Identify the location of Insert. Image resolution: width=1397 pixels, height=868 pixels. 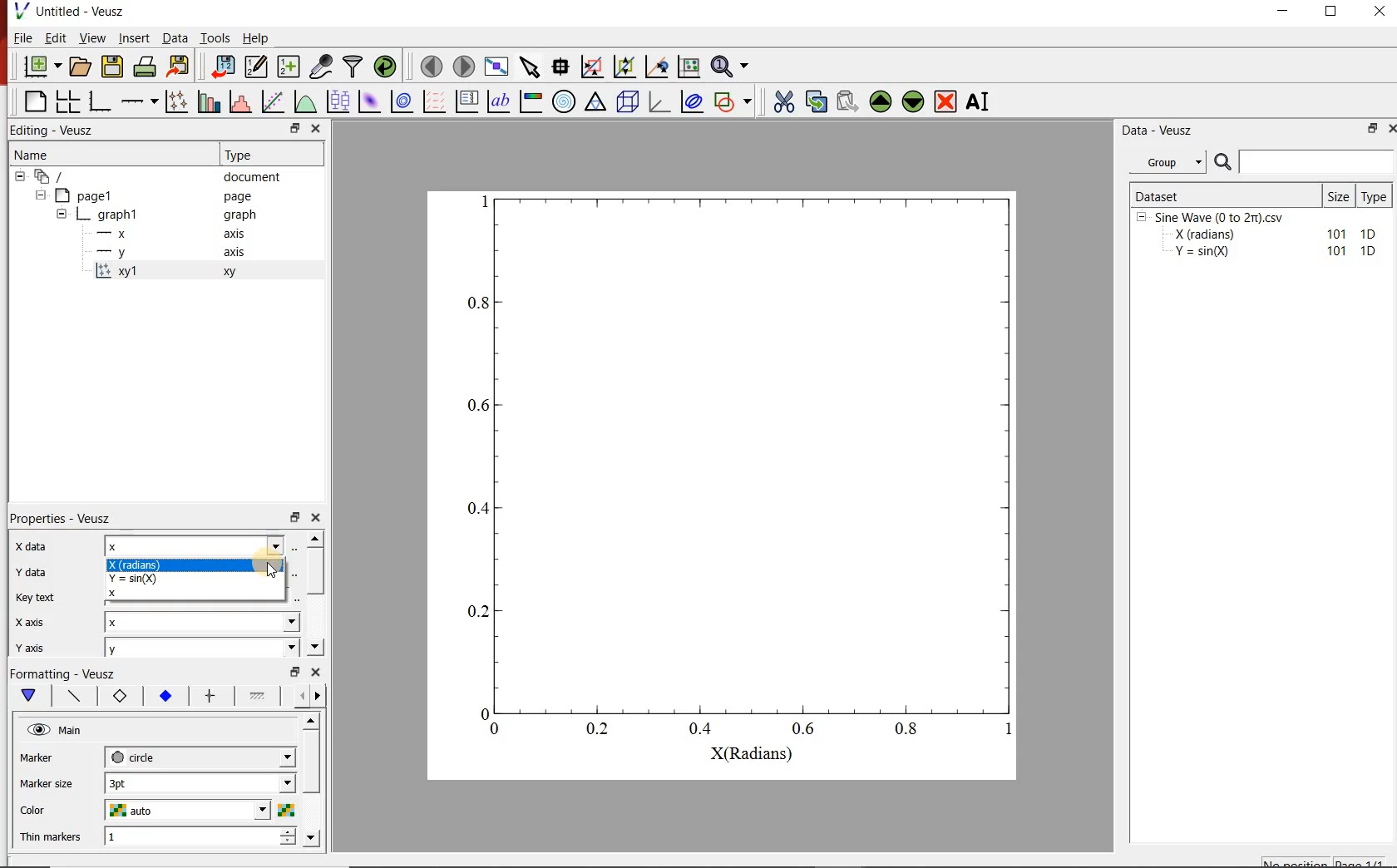
(135, 37).